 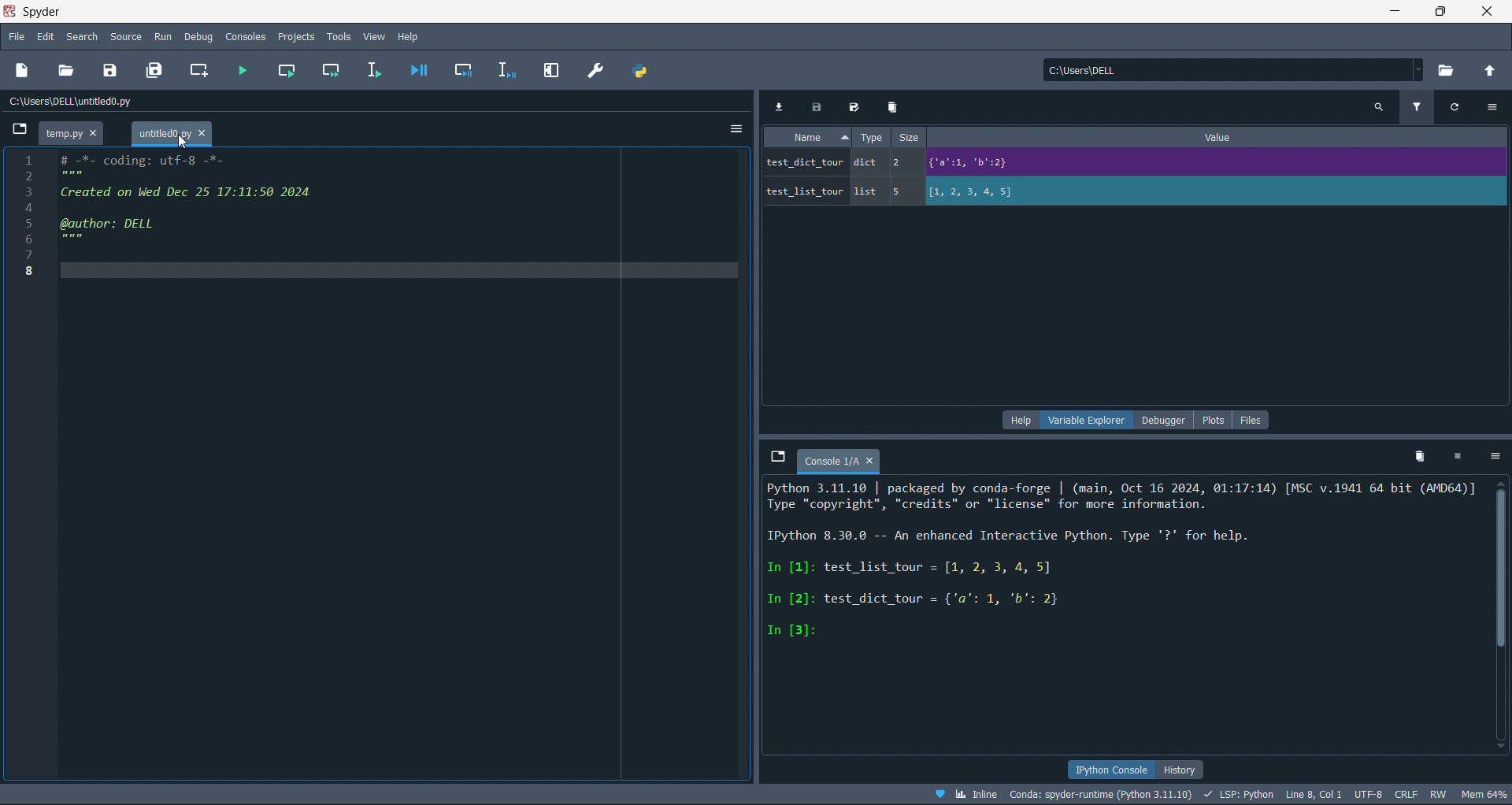 I want to click on interrupt kernel, so click(x=1462, y=457).